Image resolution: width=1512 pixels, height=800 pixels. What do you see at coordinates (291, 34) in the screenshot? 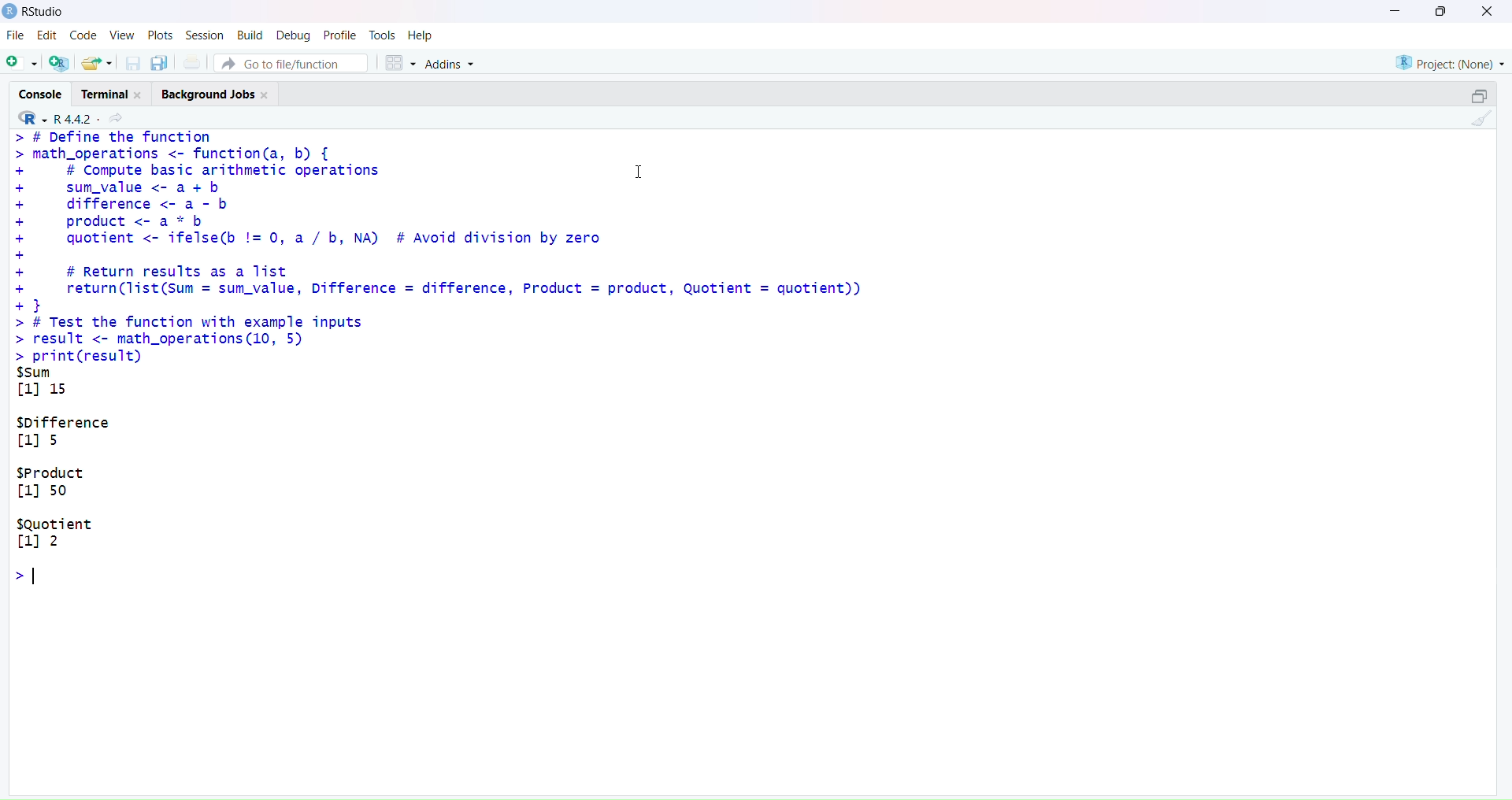
I see `Debug` at bounding box center [291, 34].